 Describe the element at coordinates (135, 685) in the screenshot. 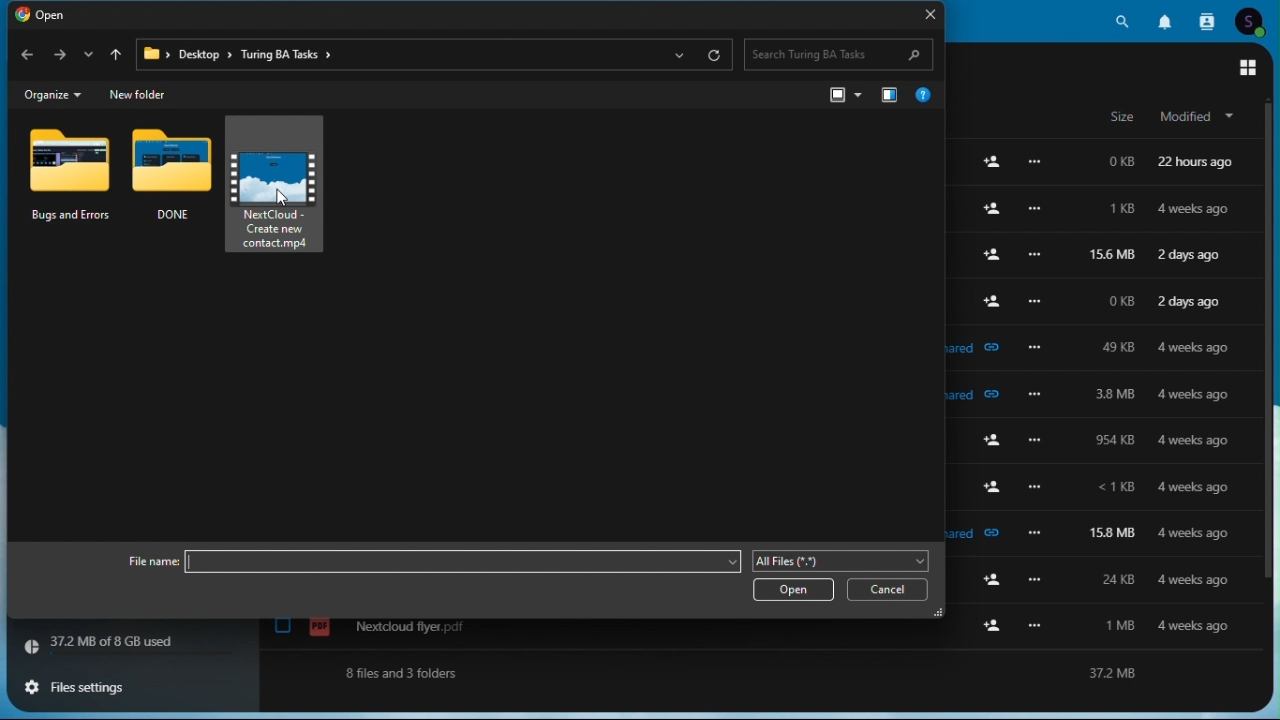

I see `File settings` at that location.